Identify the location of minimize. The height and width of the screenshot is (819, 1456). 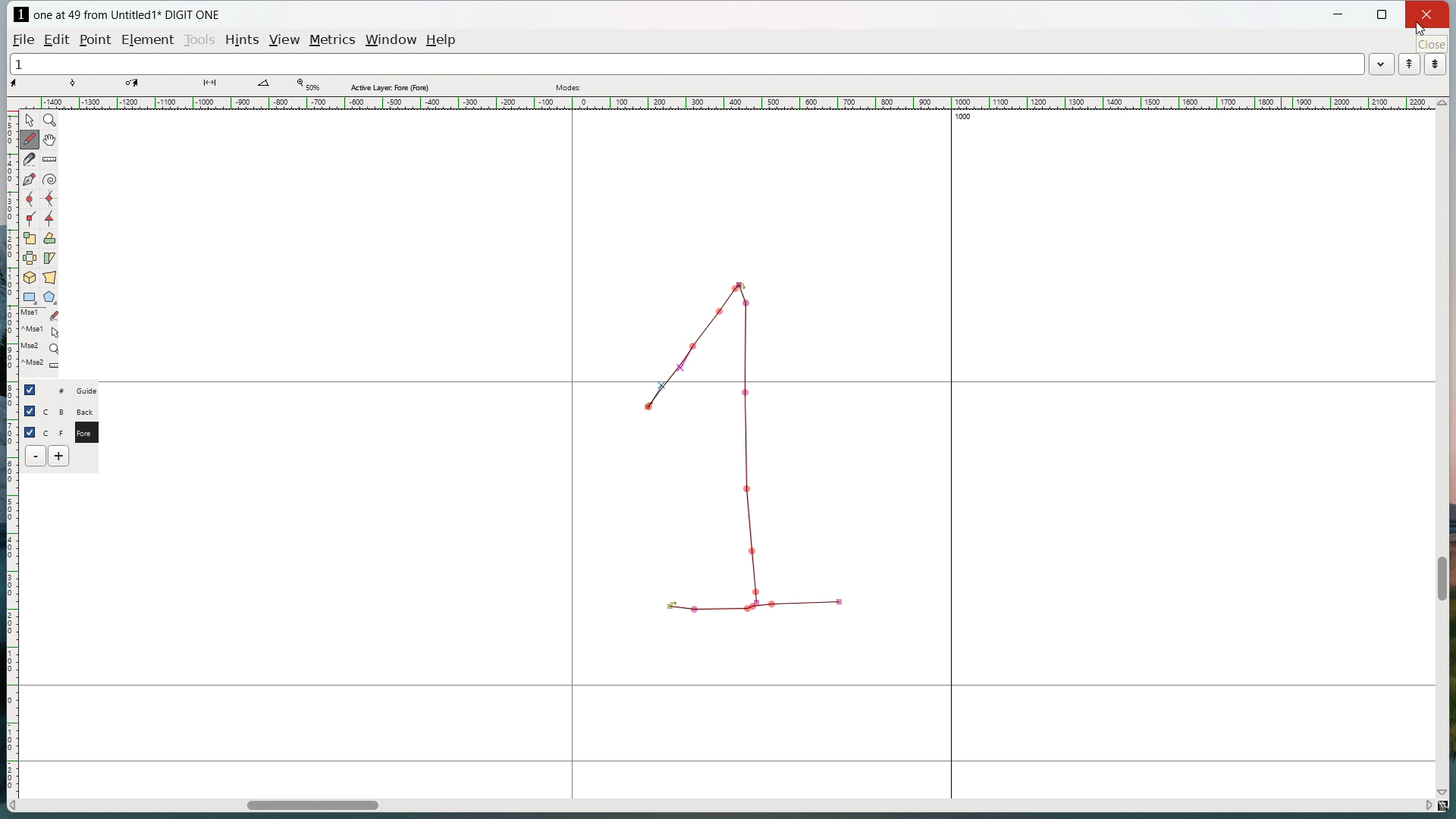
(1340, 16).